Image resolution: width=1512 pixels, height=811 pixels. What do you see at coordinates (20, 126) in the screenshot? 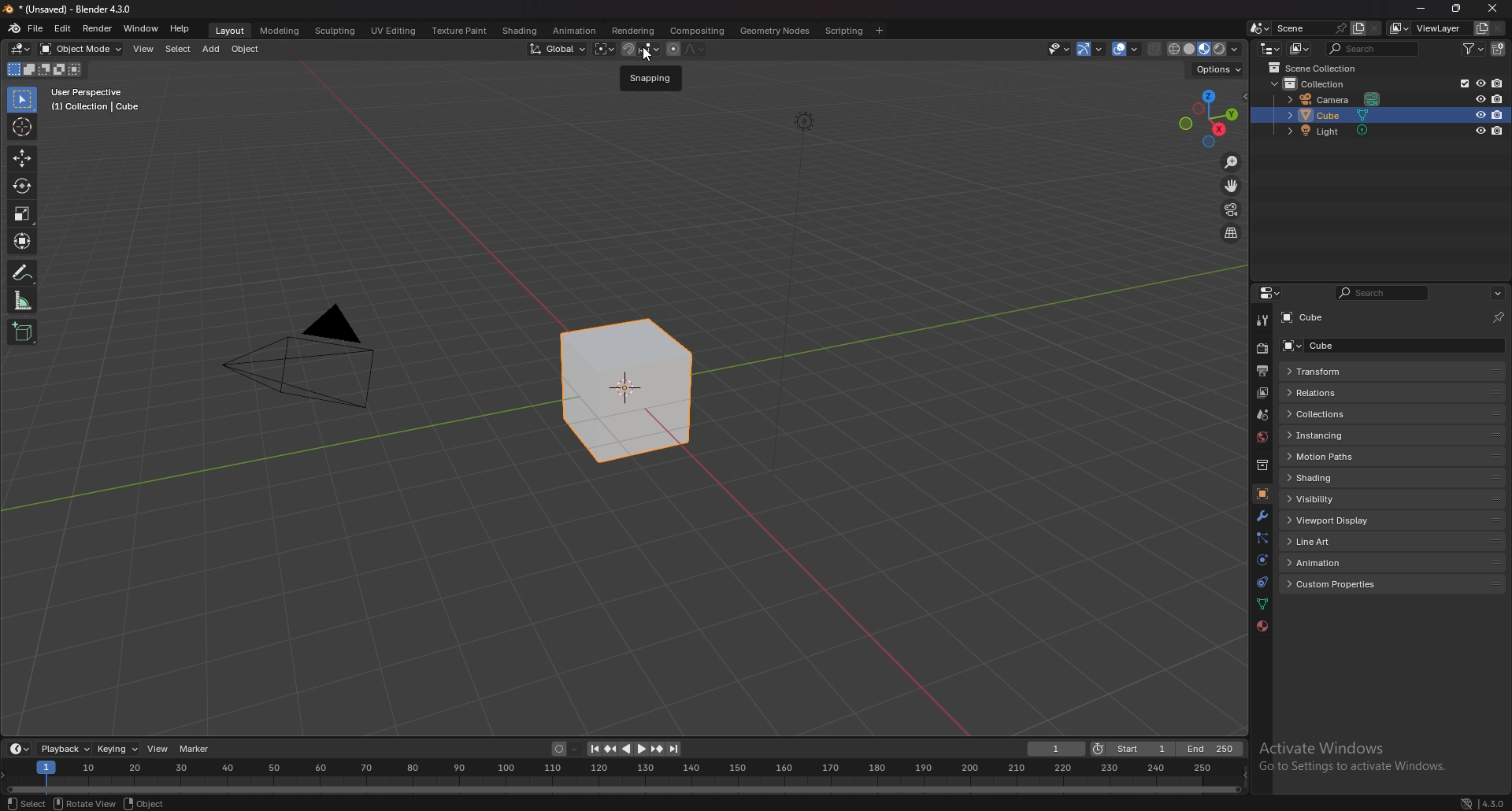
I see `cursor` at bounding box center [20, 126].